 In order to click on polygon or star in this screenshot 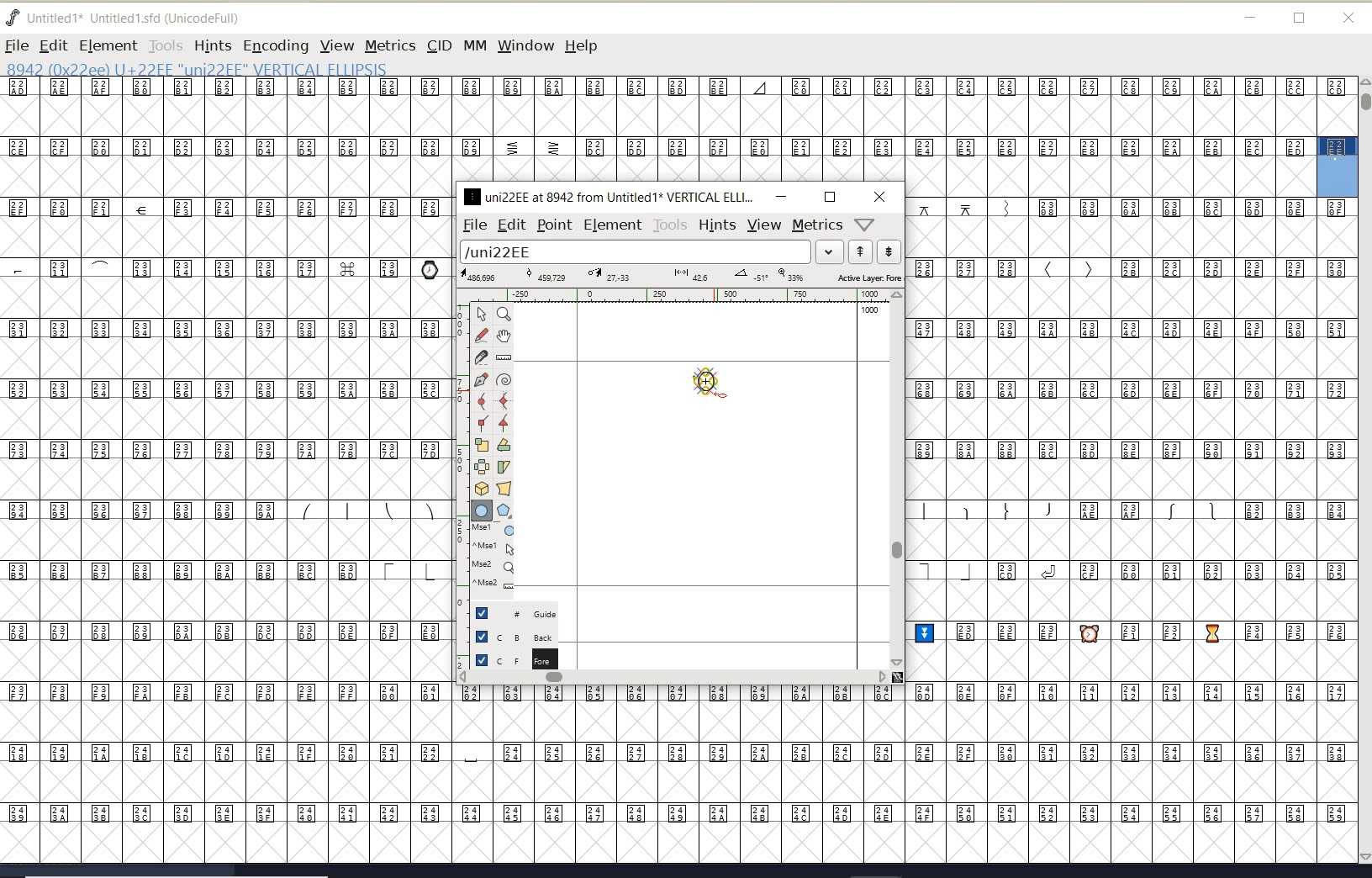, I will do `click(504, 512)`.